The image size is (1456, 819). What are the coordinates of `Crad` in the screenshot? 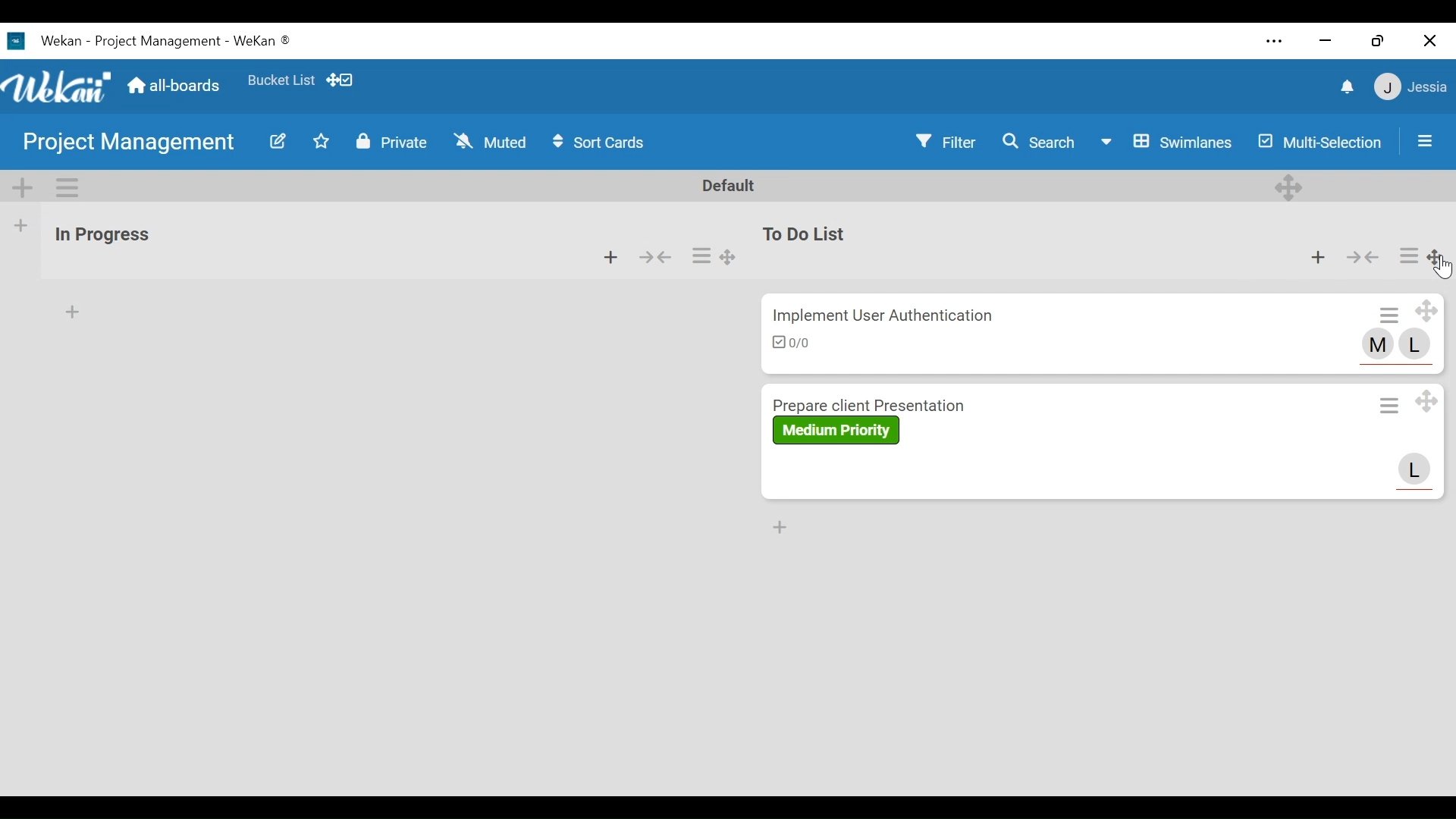 It's located at (968, 336).